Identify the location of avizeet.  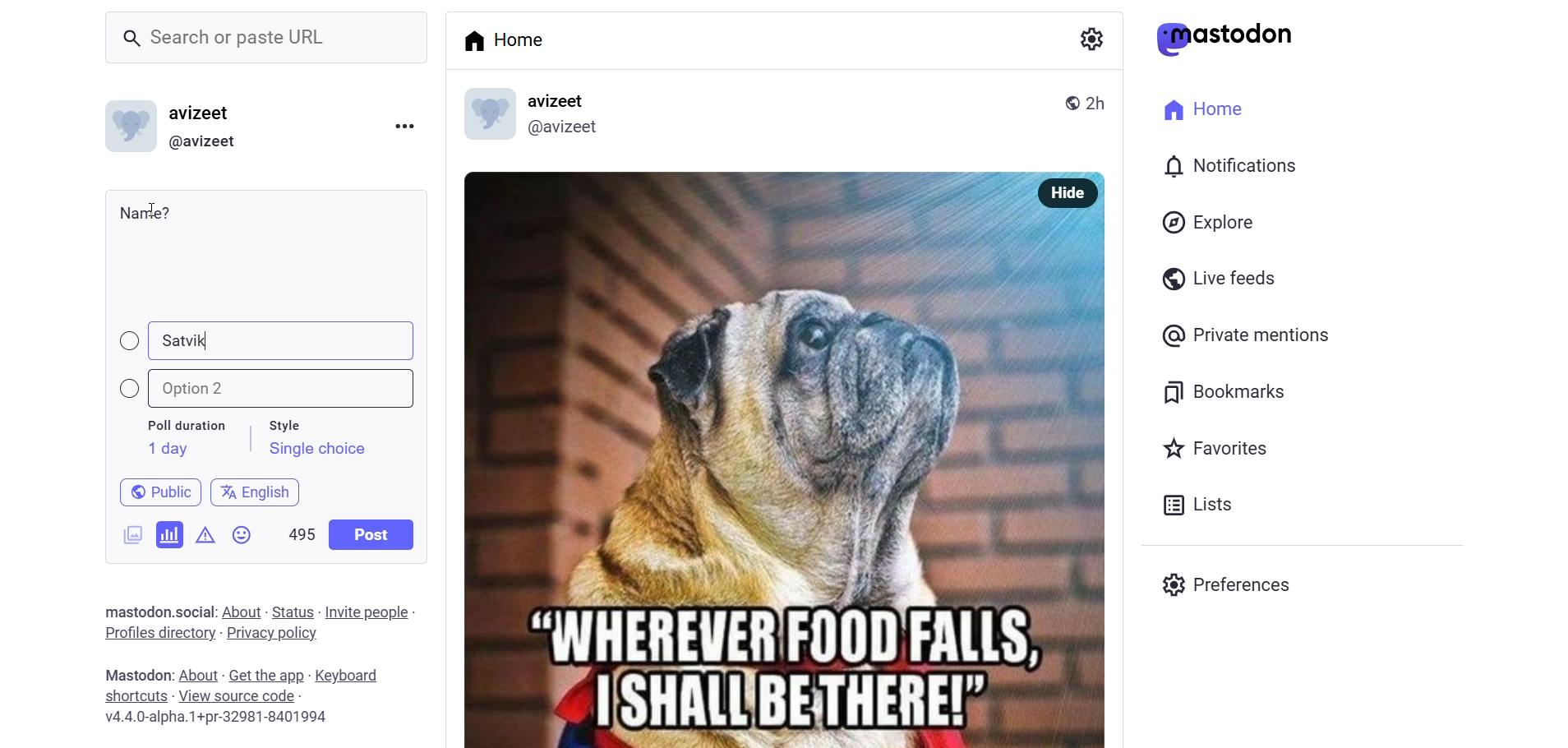
(204, 115).